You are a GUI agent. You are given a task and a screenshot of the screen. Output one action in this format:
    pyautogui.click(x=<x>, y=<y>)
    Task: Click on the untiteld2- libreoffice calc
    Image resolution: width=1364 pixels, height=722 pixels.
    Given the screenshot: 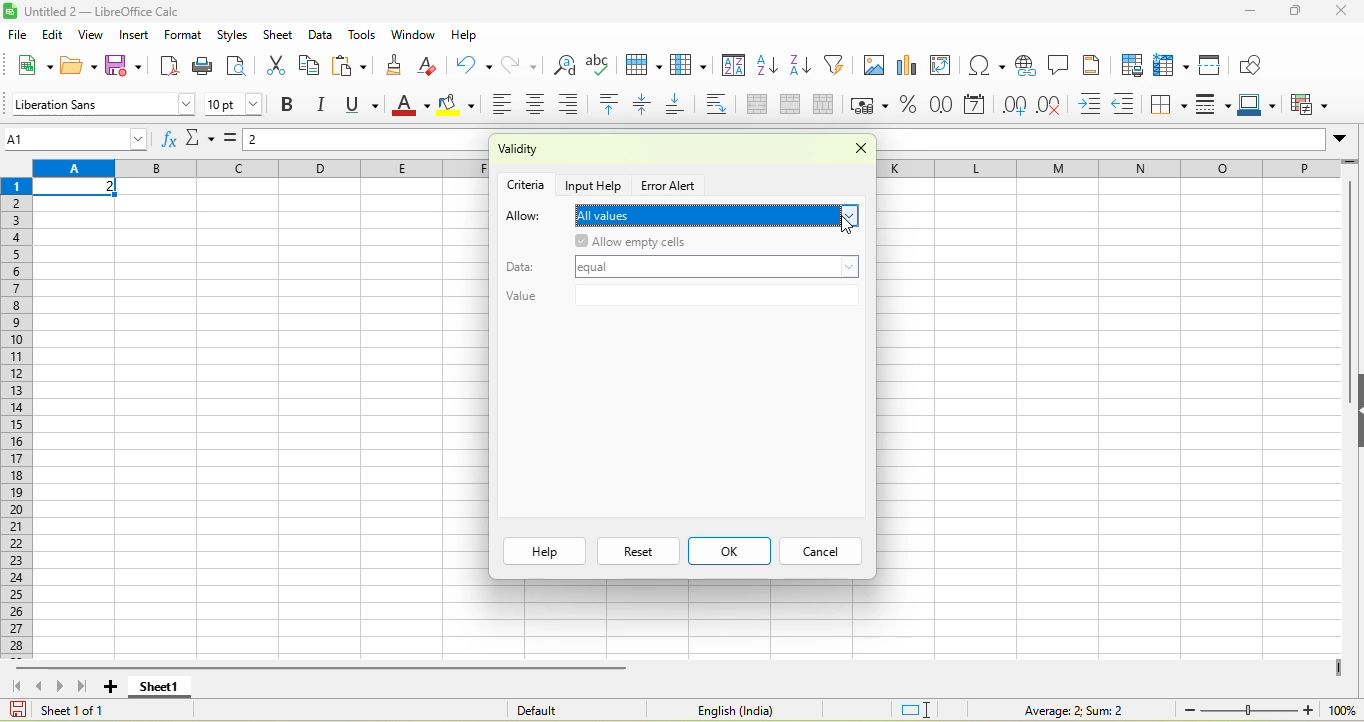 What is the action you would take?
    pyautogui.click(x=115, y=11)
    